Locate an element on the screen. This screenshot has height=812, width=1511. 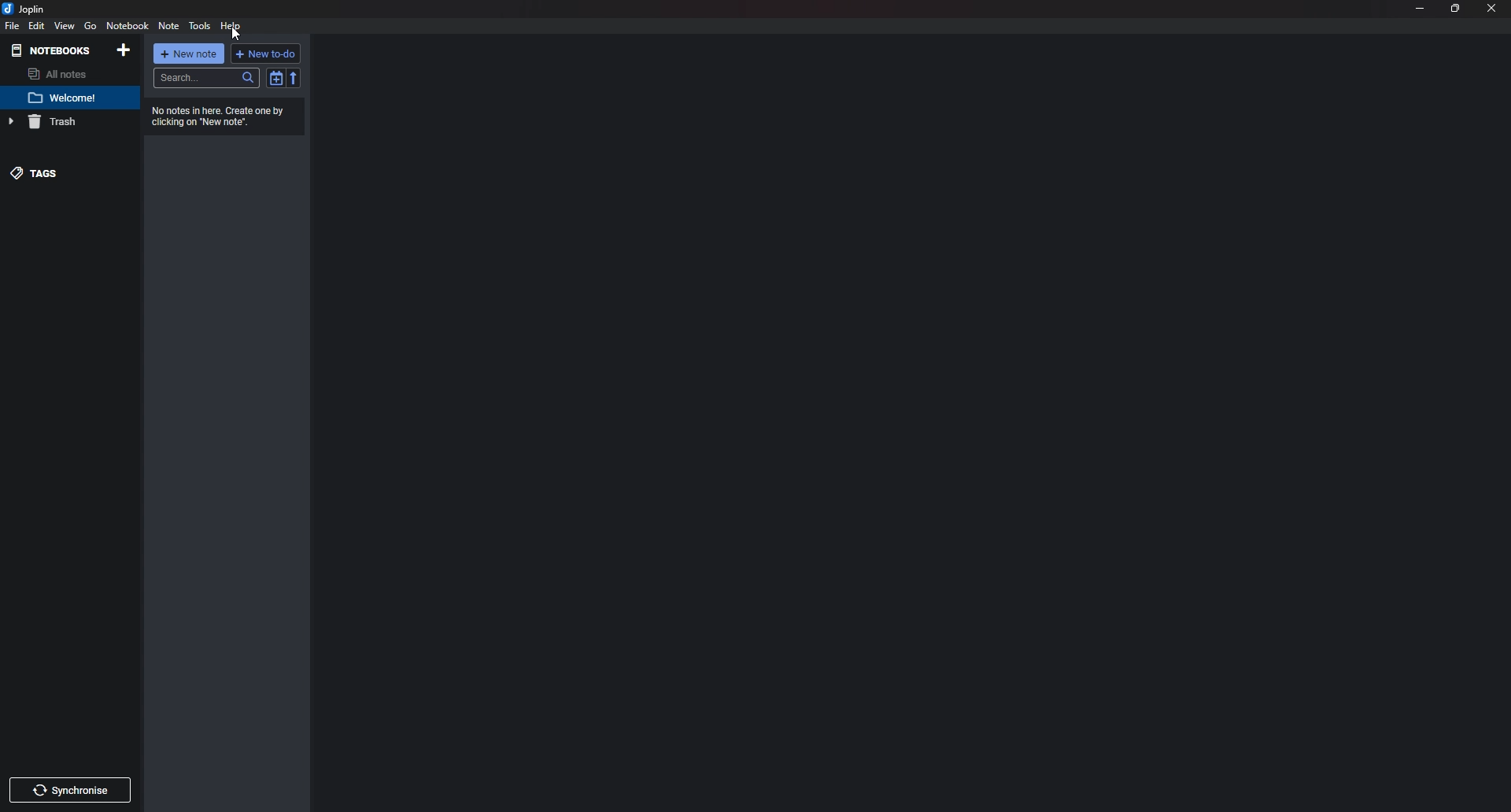
Notebooks is located at coordinates (52, 51).